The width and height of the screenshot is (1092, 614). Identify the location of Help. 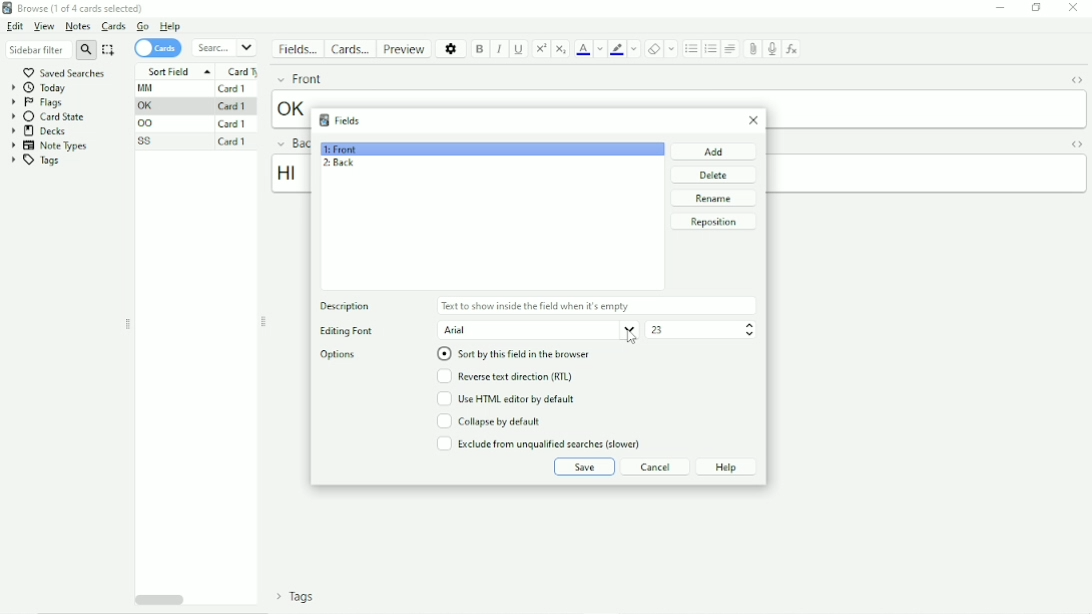
(171, 26).